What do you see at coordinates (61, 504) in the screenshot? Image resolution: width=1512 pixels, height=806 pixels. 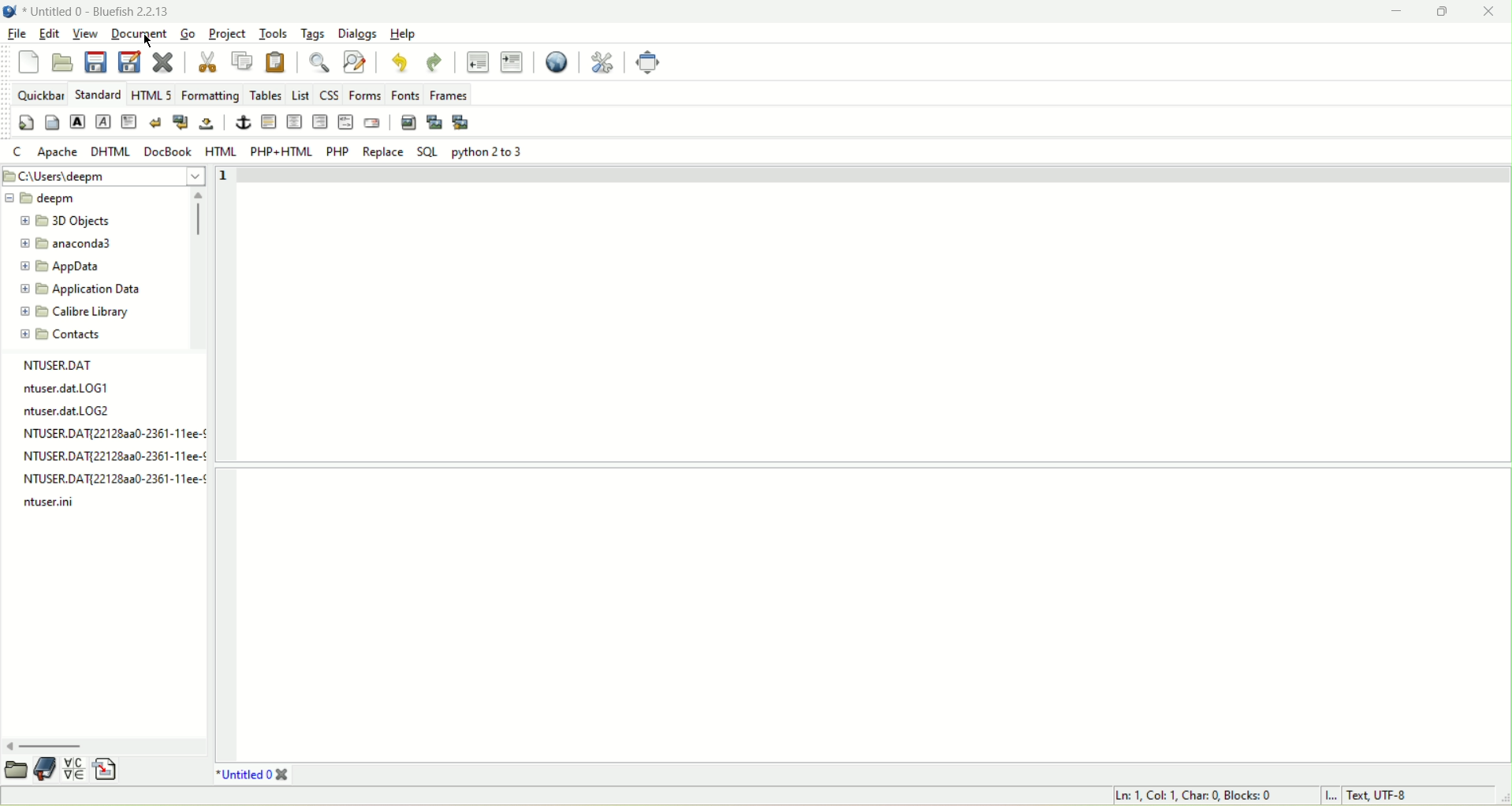 I see `ntuser.ini` at bounding box center [61, 504].